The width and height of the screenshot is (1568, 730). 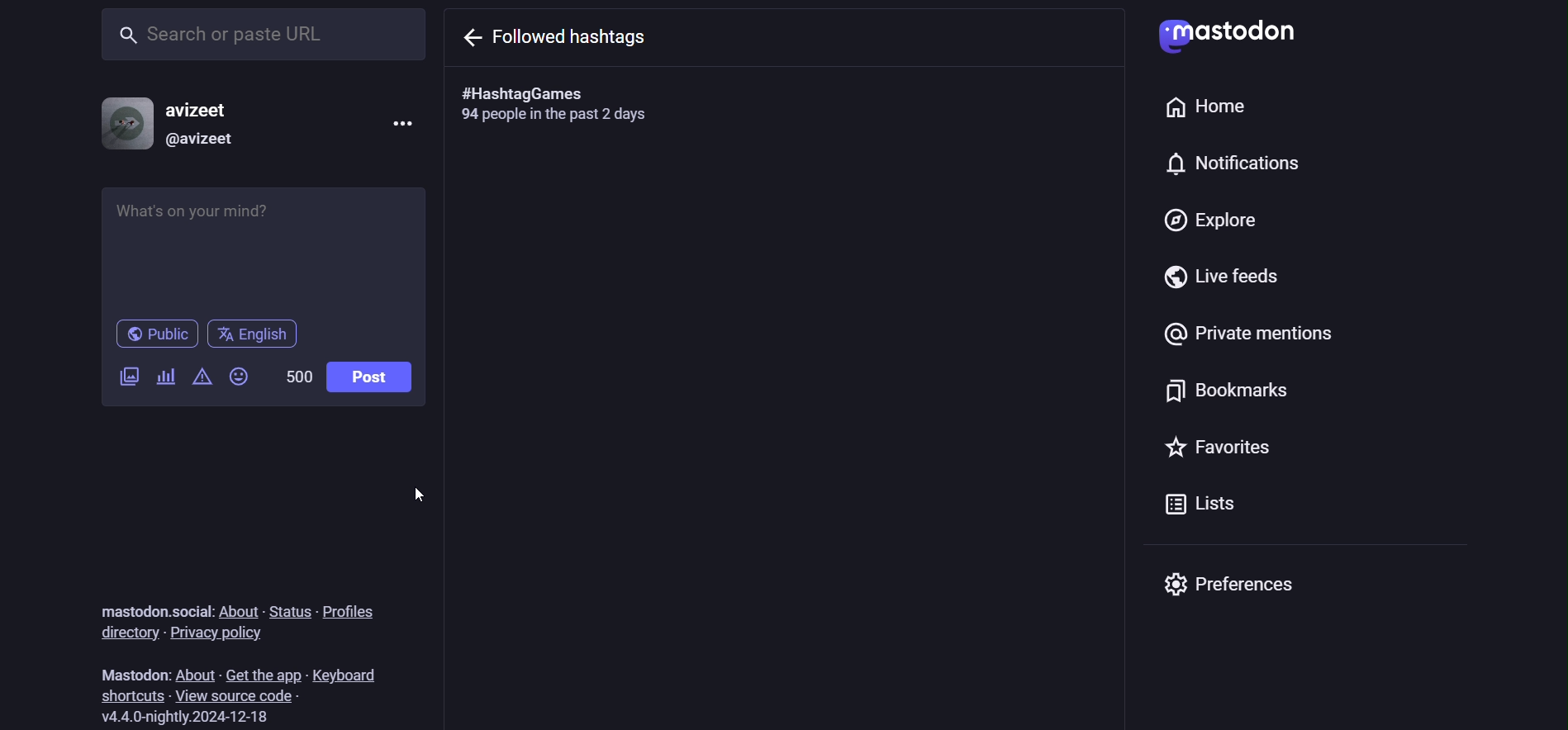 I want to click on preferences, so click(x=1220, y=587).